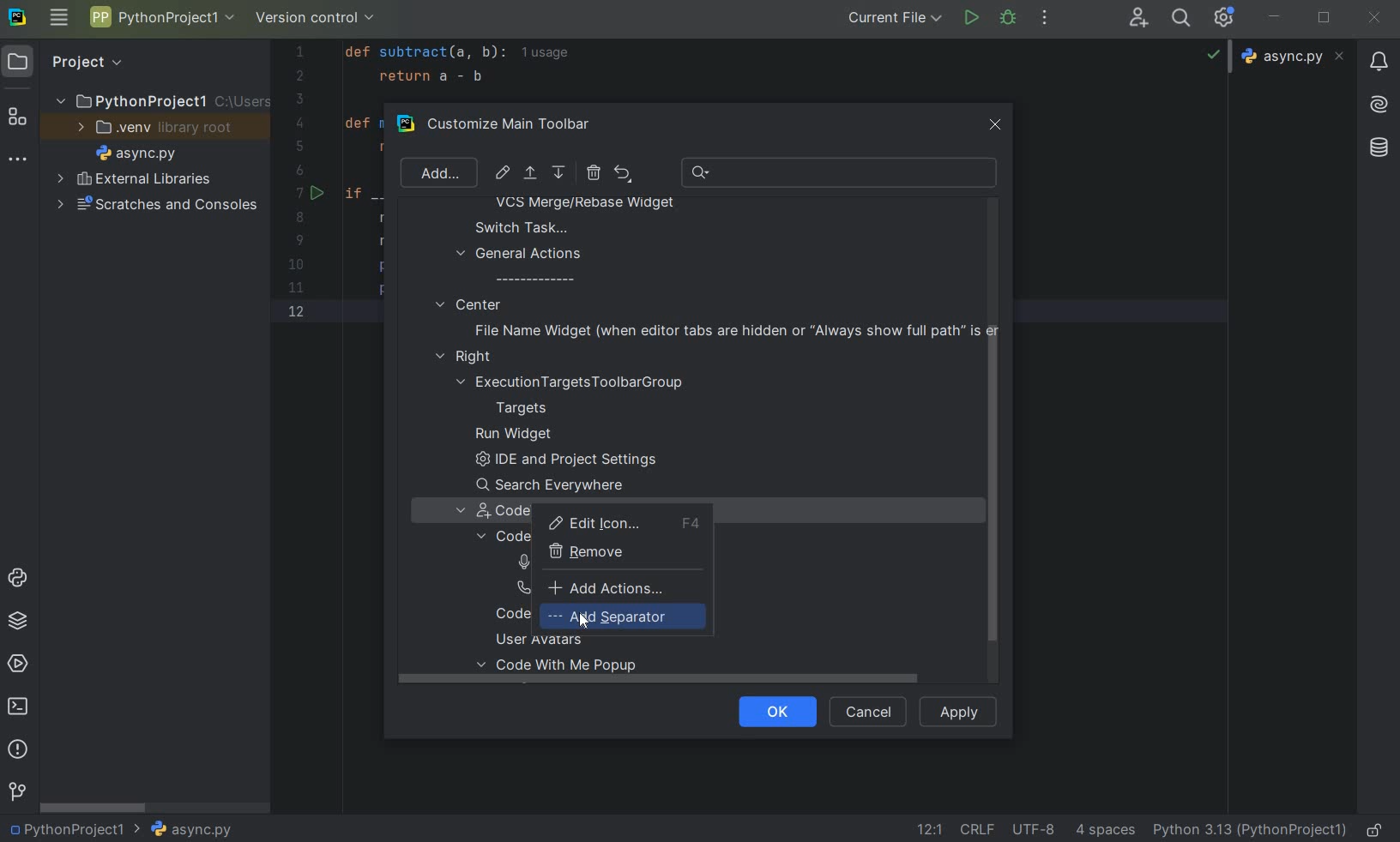 The height and width of the screenshot is (842, 1400). What do you see at coordinates (520, 125) in the screenshot?
I see `CUSTOMIZE MAIN TOOLBAR` at bounding box center [520, 125].